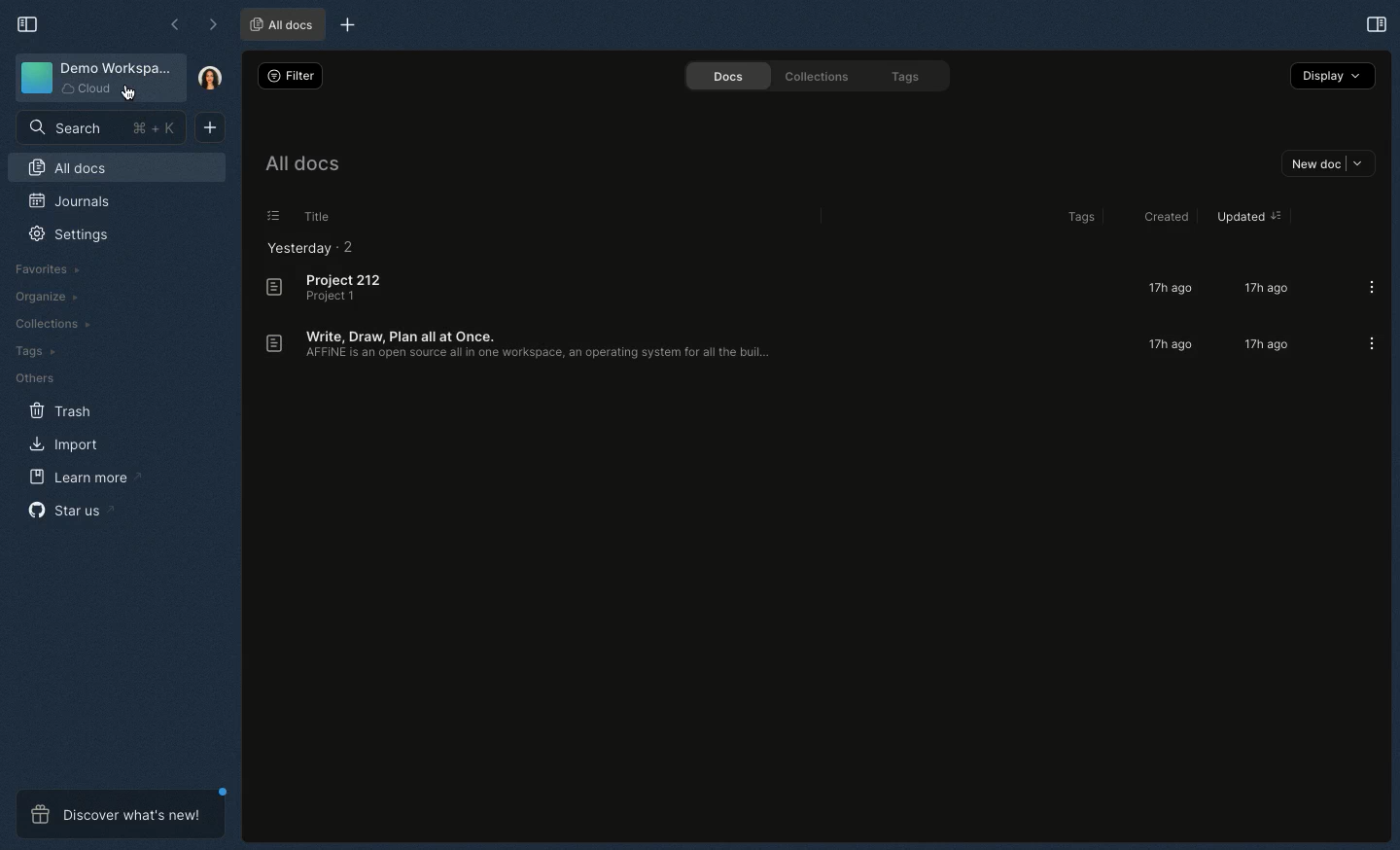 This screenshot has width=1400, height=850. I want to click on All docs, so click(280, 24).